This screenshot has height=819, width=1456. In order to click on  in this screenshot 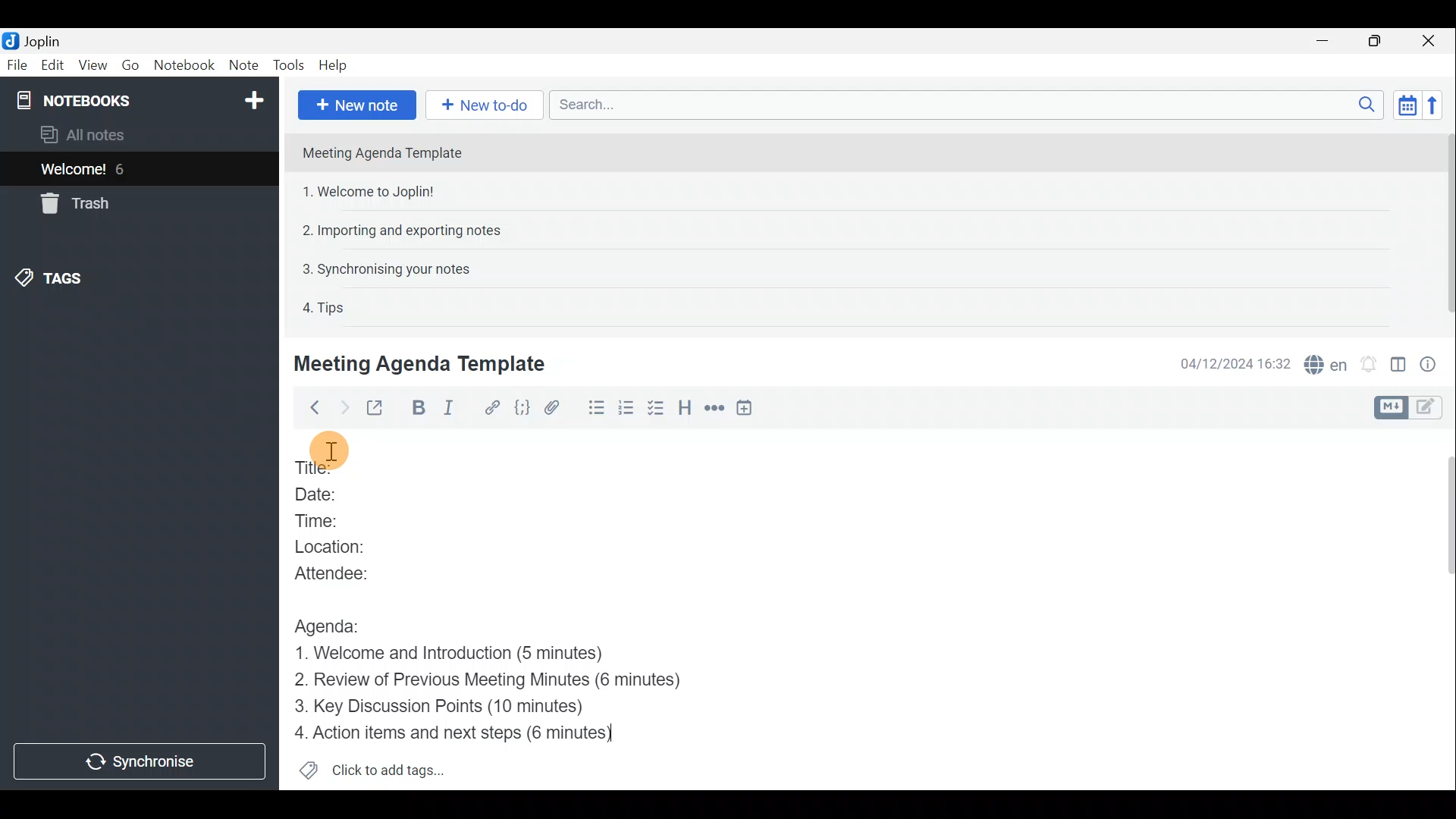, I will do `click(330, 450)`.